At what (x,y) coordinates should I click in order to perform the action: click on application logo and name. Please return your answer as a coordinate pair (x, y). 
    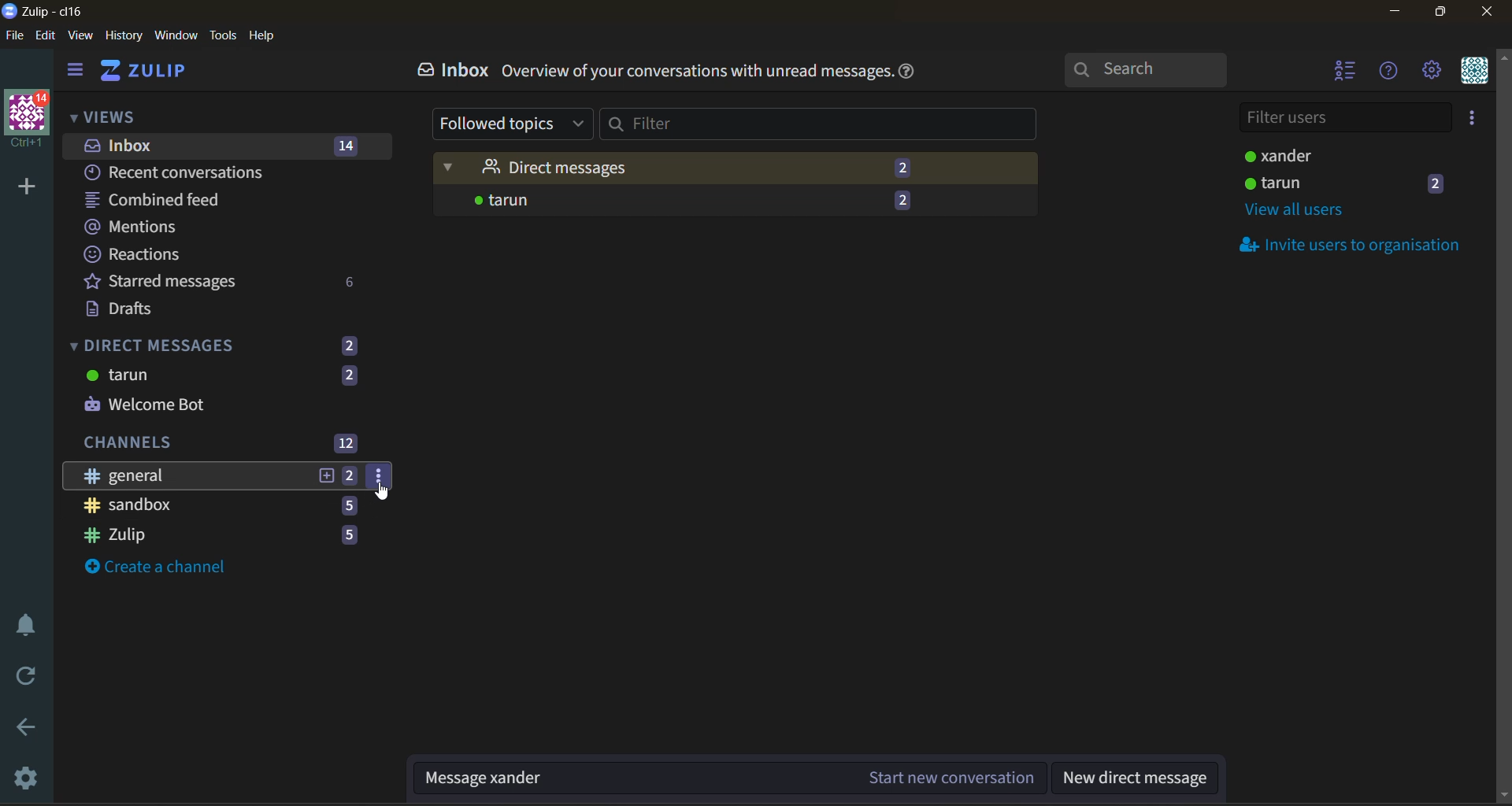
    Looking at the image, I should click on (48, 13).